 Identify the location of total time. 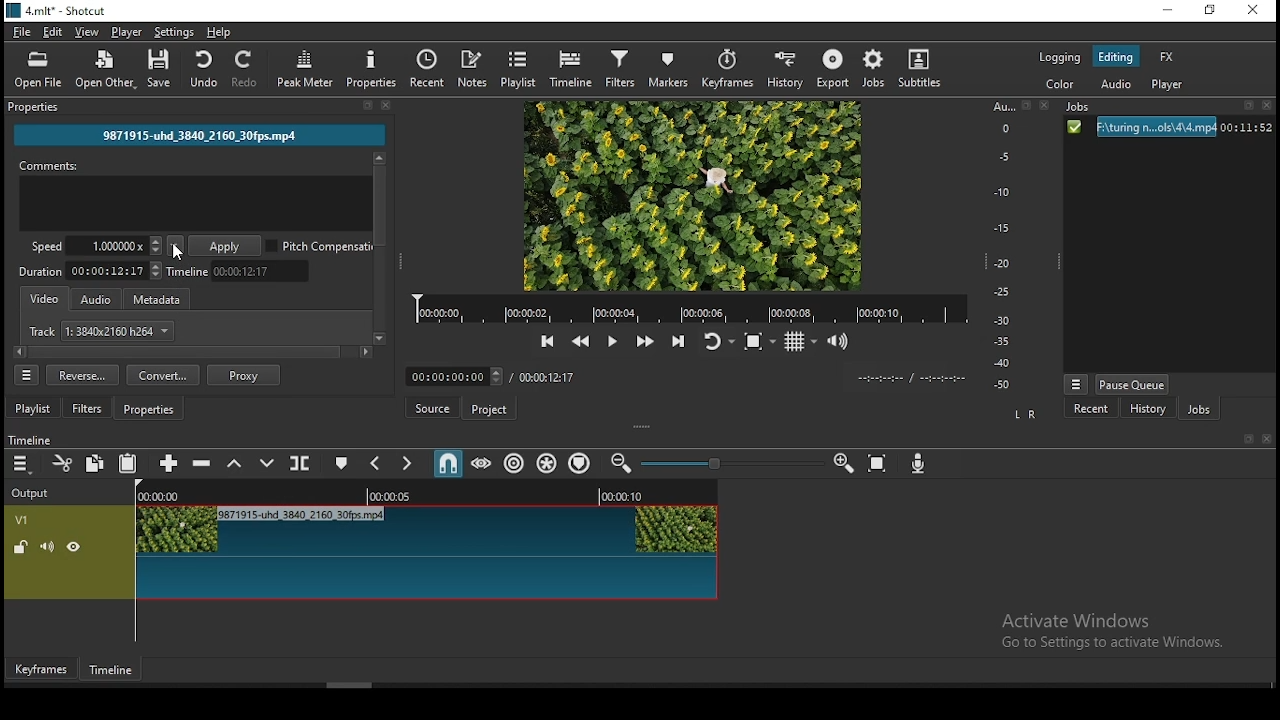
(548, 377).